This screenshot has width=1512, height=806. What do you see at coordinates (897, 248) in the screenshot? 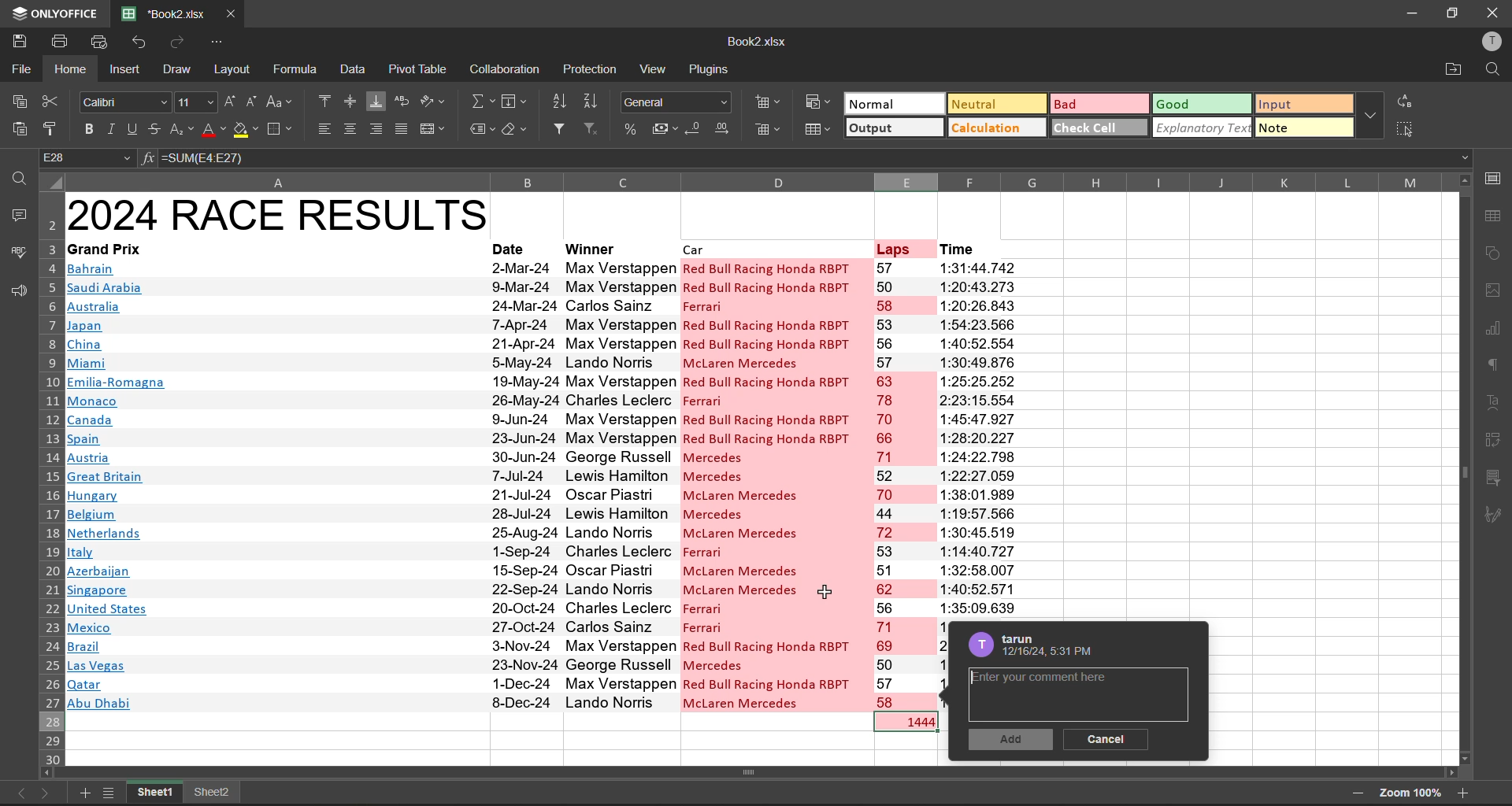
I see `laps` at bounding box center [897, 248].